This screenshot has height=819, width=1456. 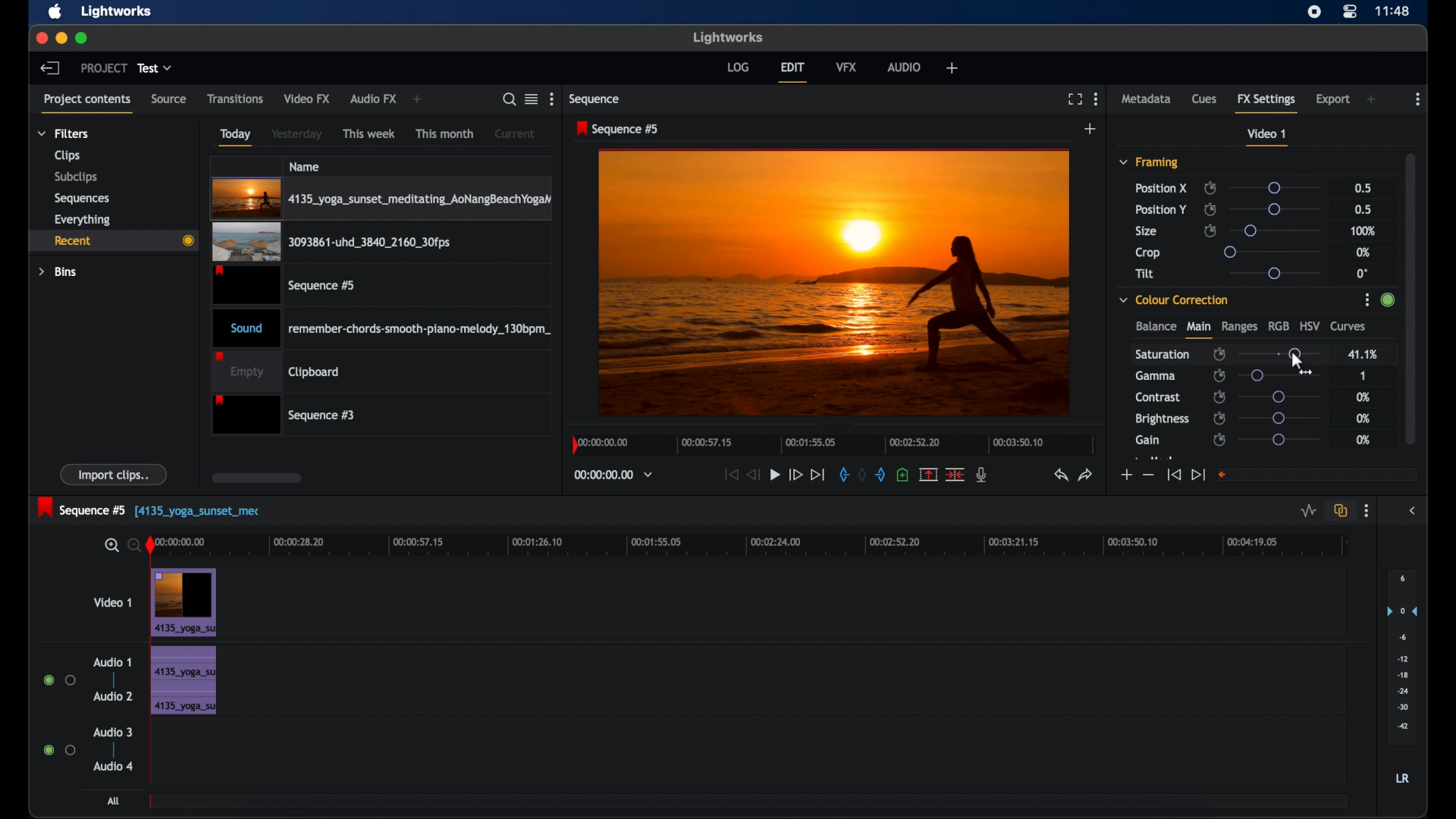 What do you see at coordinates (1394, 10) in the screenshot?
I see `time` at bounding box center [1394, 10].